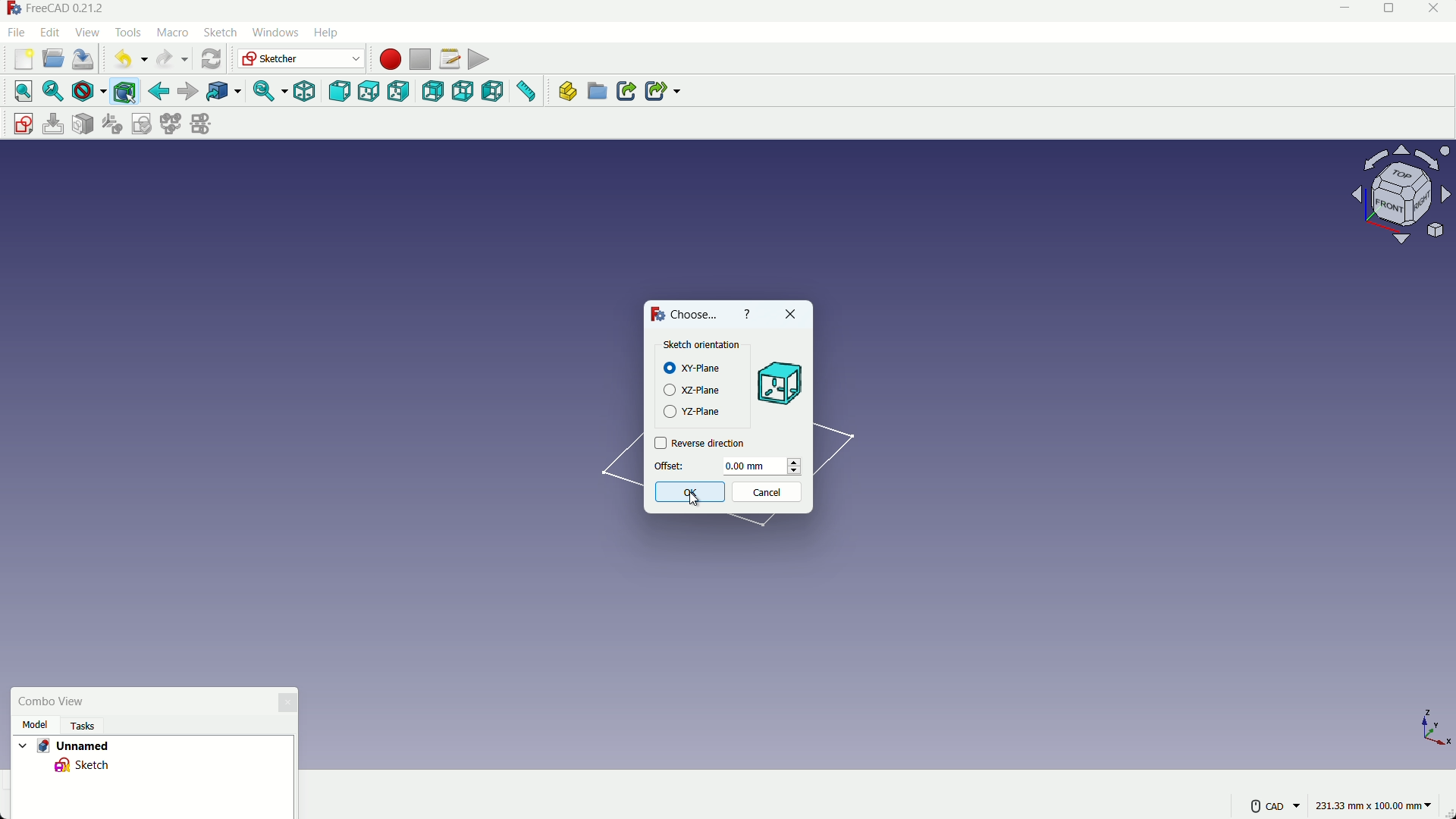  I want to click on select all, so click(23, 90).